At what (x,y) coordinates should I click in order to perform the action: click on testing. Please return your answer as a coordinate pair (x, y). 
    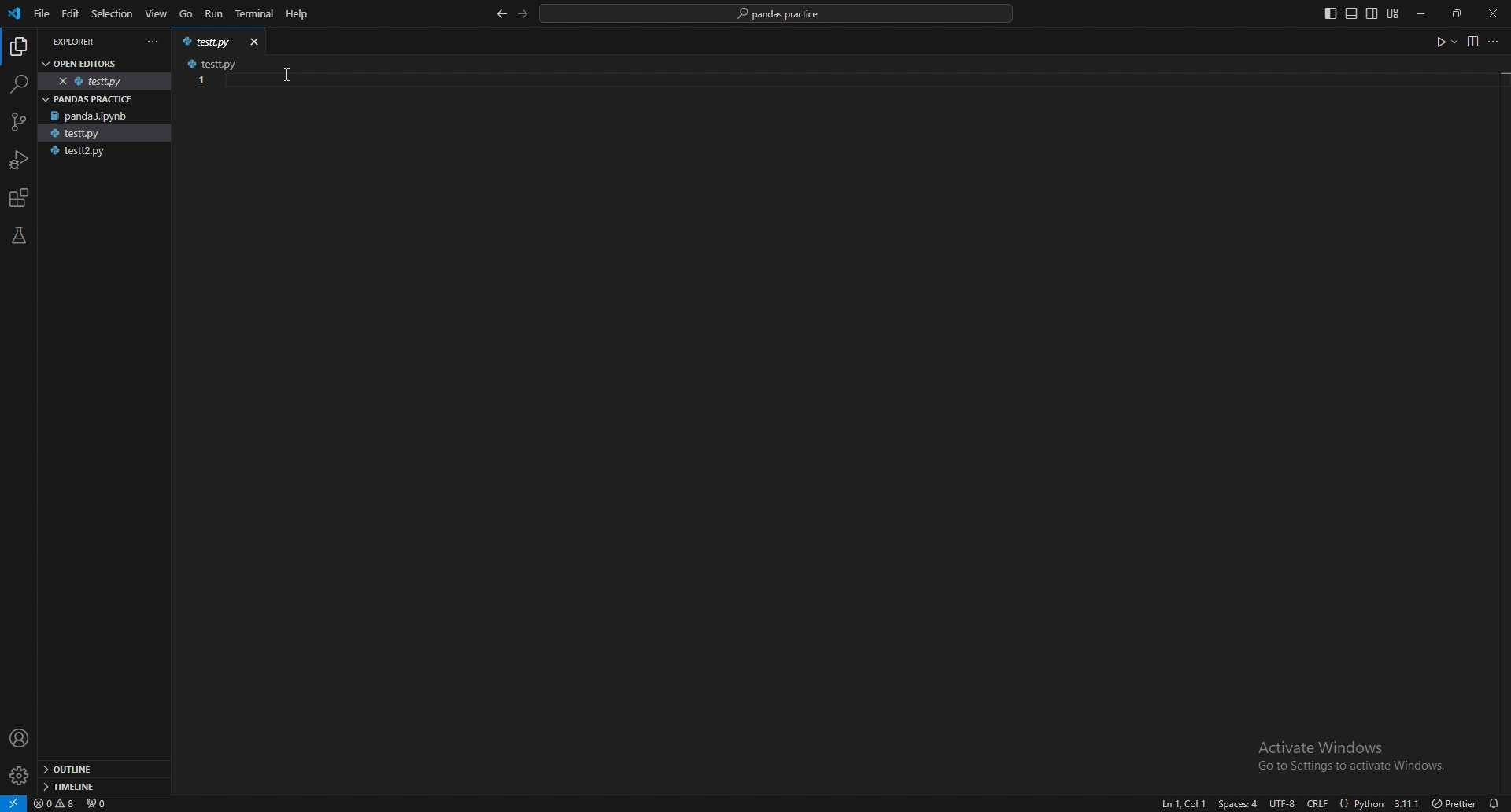
    Looking at the image, I should click on (19, 235).